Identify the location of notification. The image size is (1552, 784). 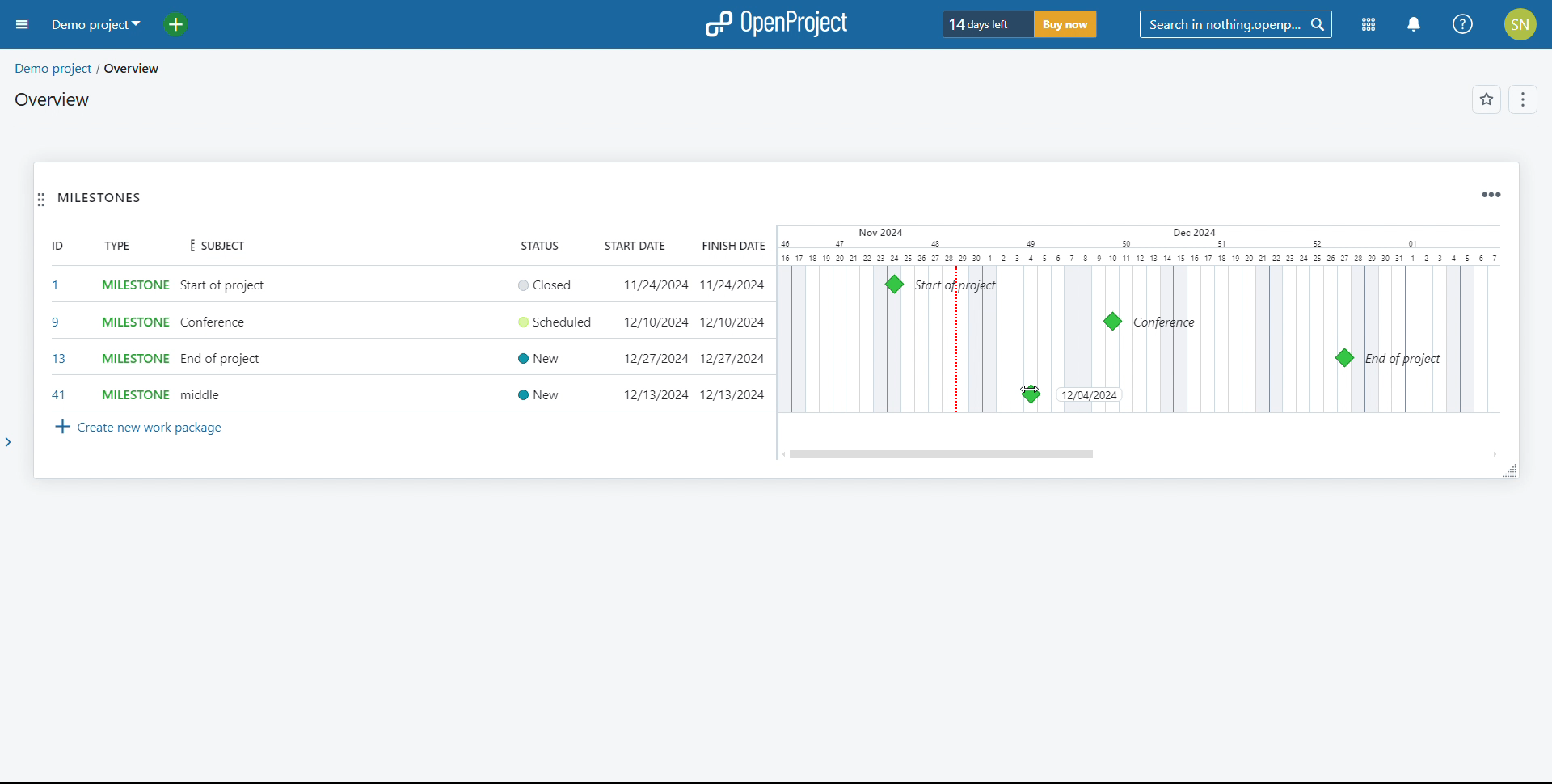
(1414, 25).